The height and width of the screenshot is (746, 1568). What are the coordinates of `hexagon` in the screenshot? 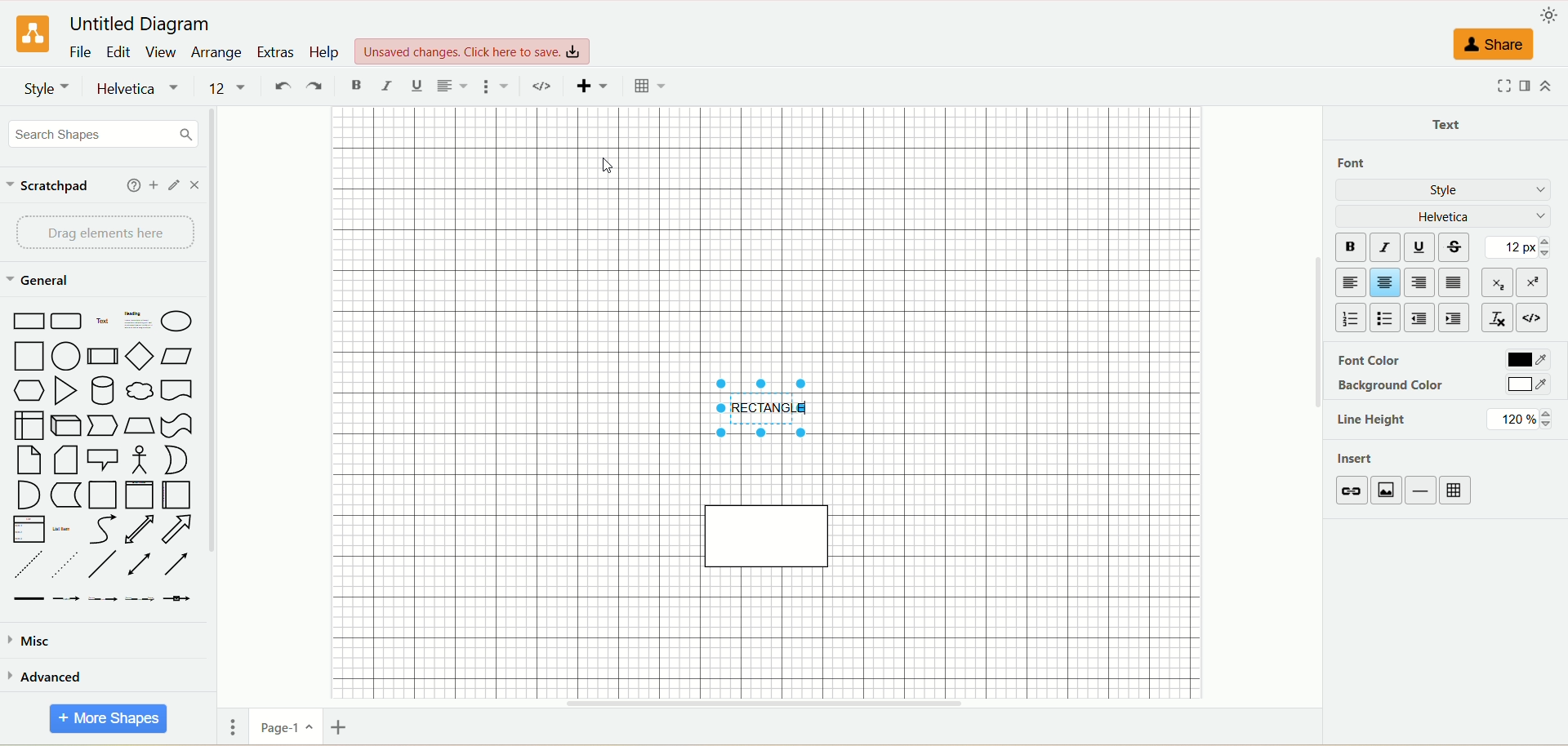 It's located at (30, 389).